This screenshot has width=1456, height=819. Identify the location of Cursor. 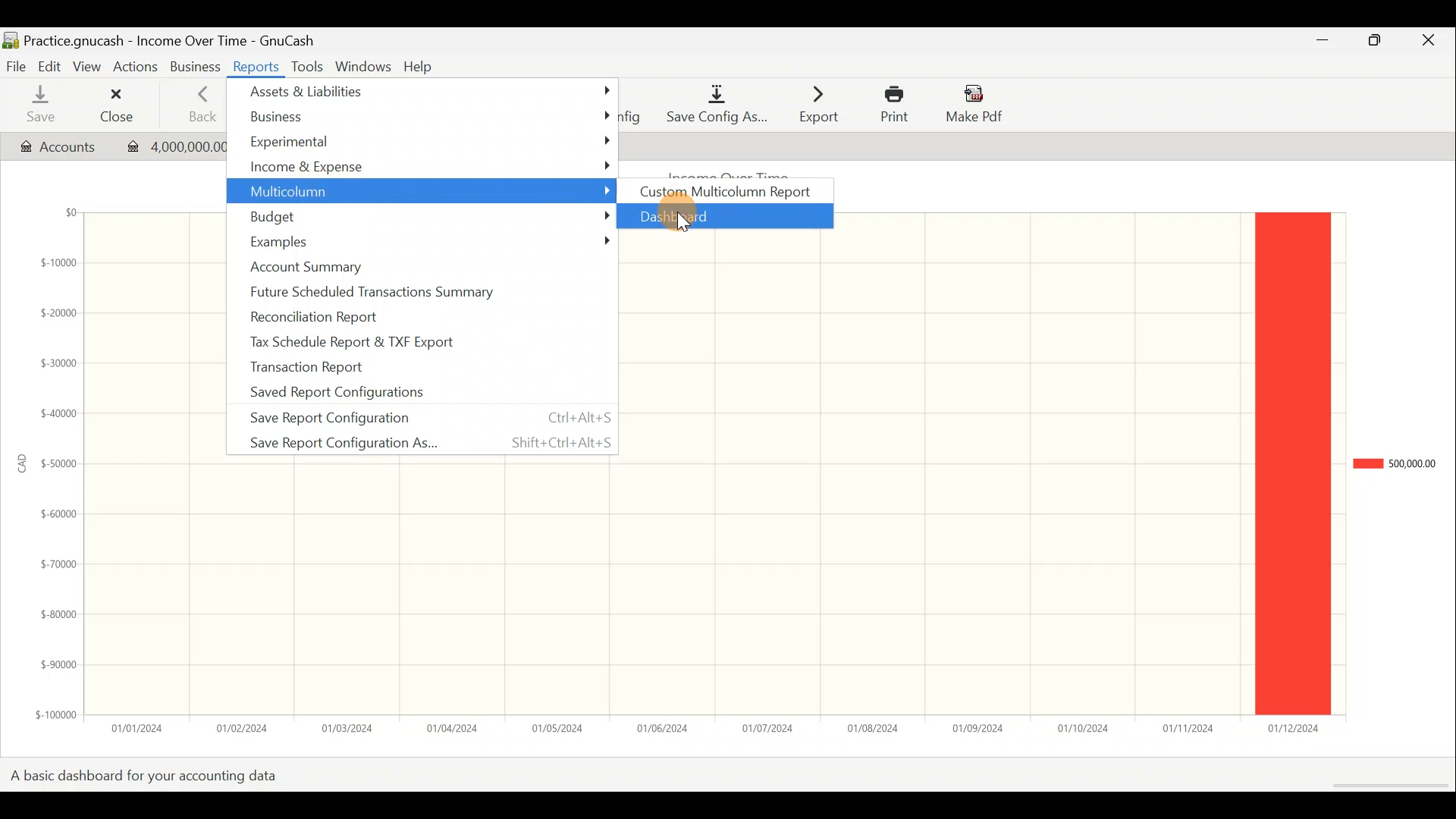
(695, 215).